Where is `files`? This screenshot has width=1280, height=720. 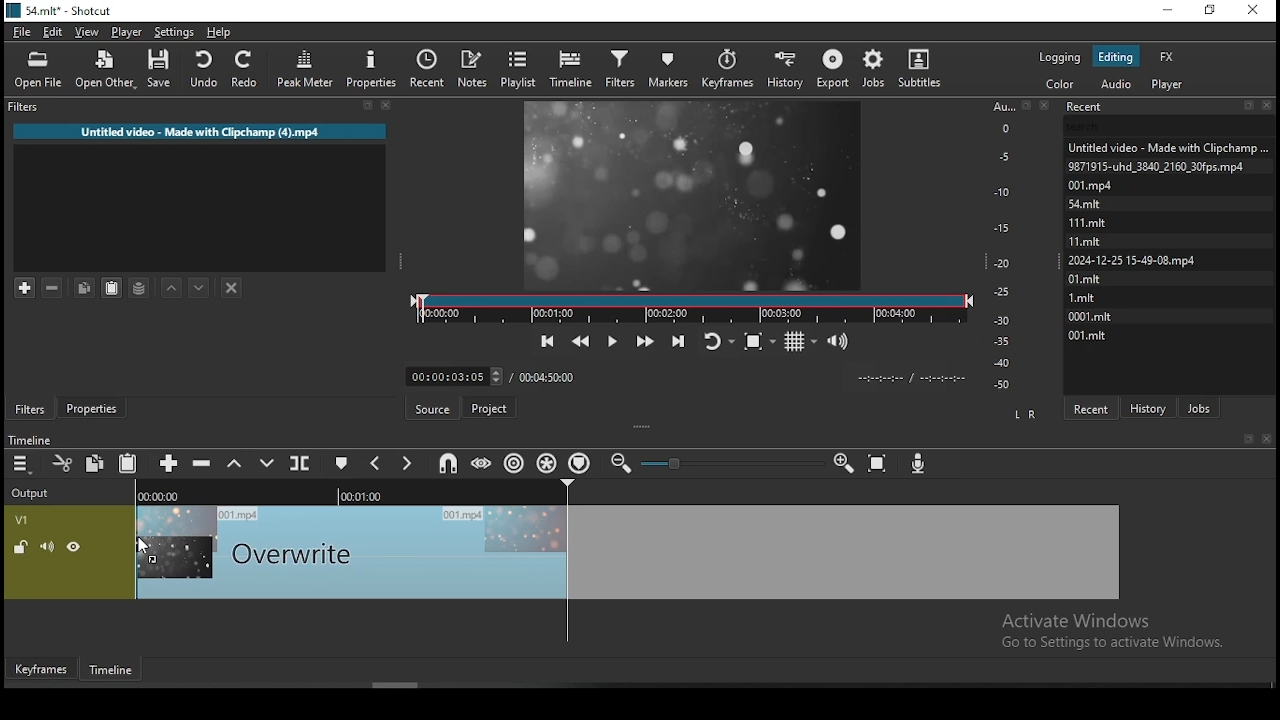
files is located at coordinates (1093, 336).